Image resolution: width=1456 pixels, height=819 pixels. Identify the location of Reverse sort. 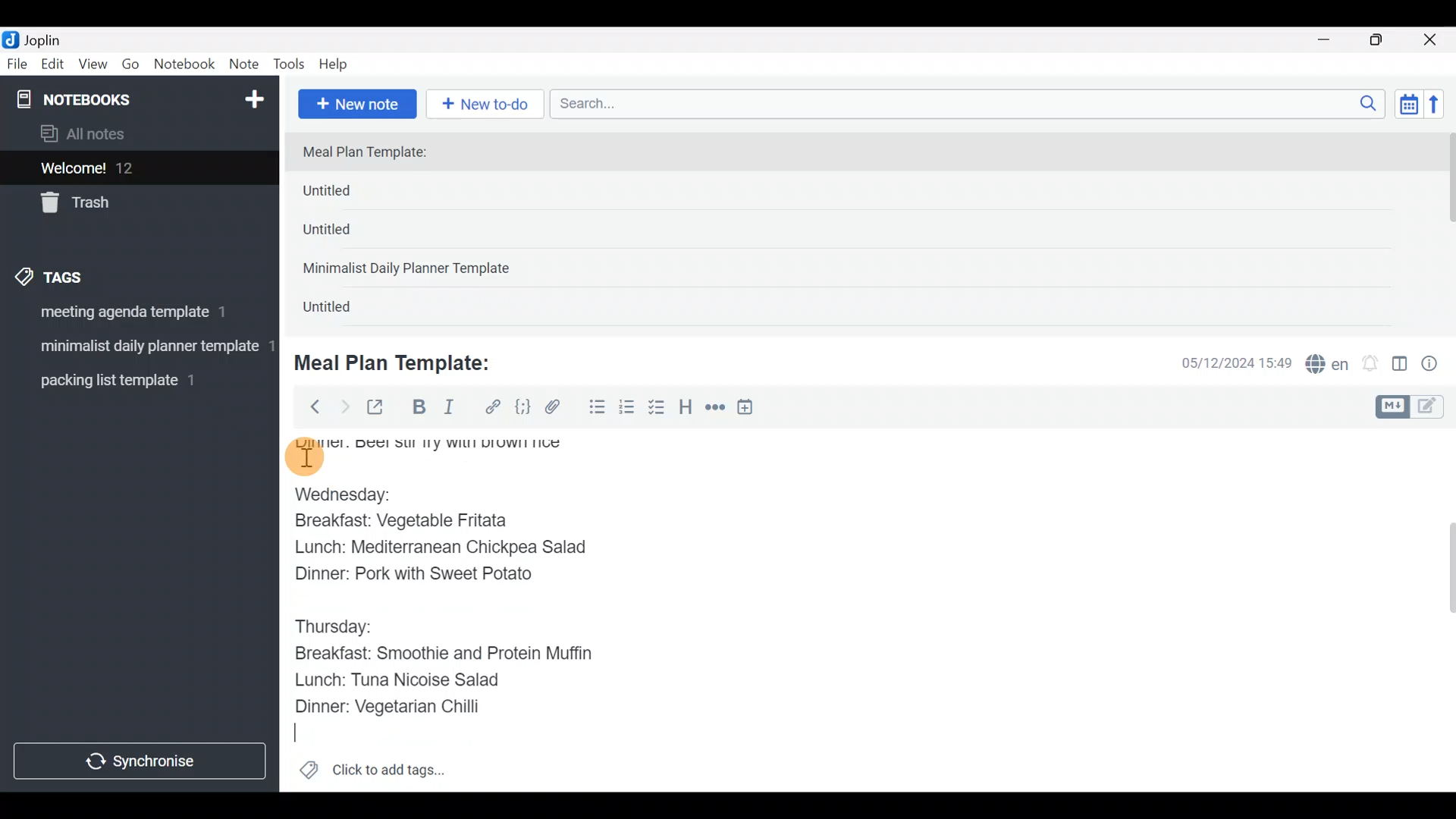
(1442, 108).